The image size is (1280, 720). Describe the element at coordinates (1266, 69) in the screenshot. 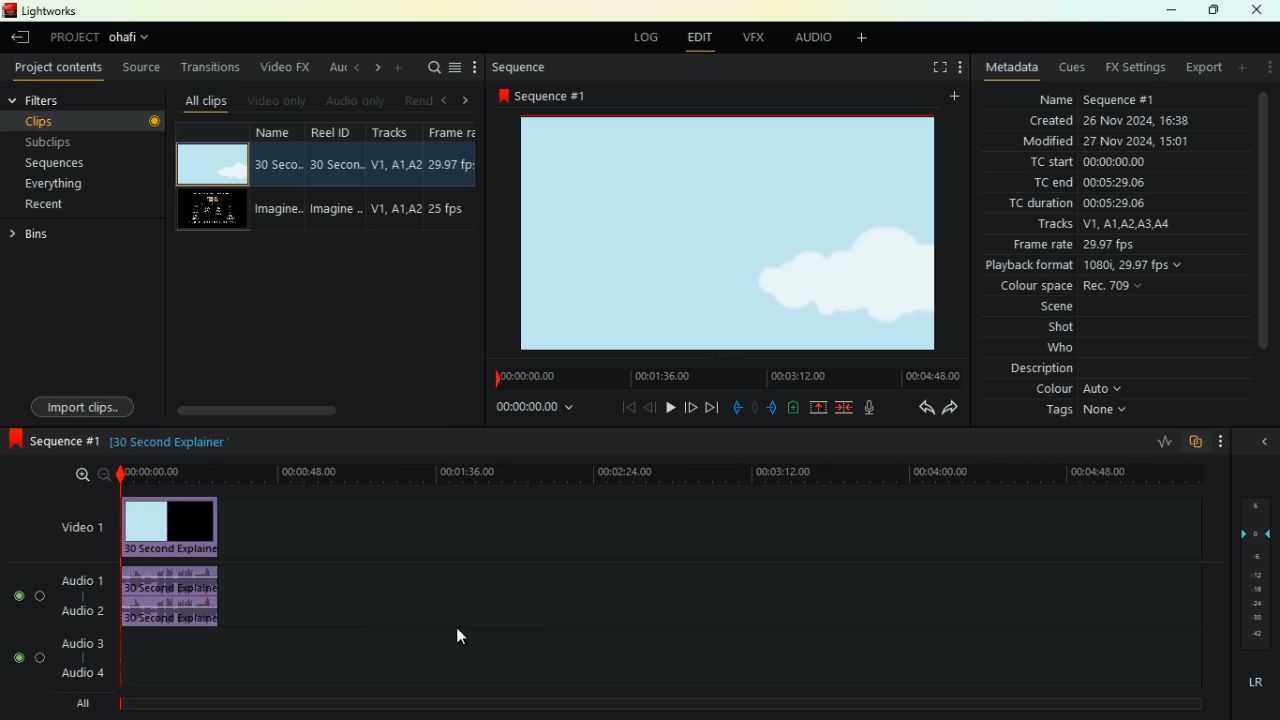

I see `more` at that location.